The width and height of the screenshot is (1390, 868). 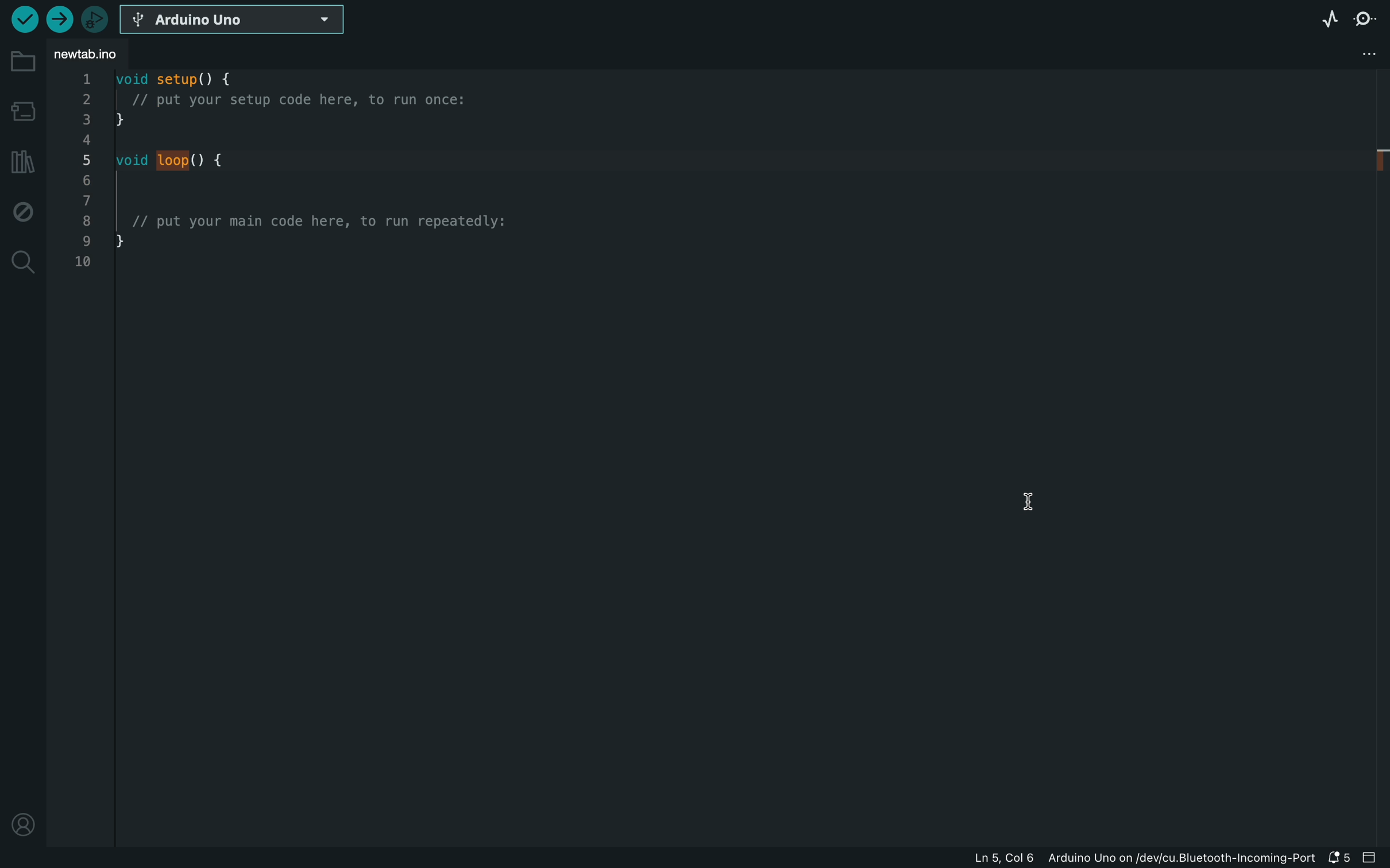 What do you see at coordinates (24, 18) in the screenshot?
I see `verify` at bounding box center [24, 18].